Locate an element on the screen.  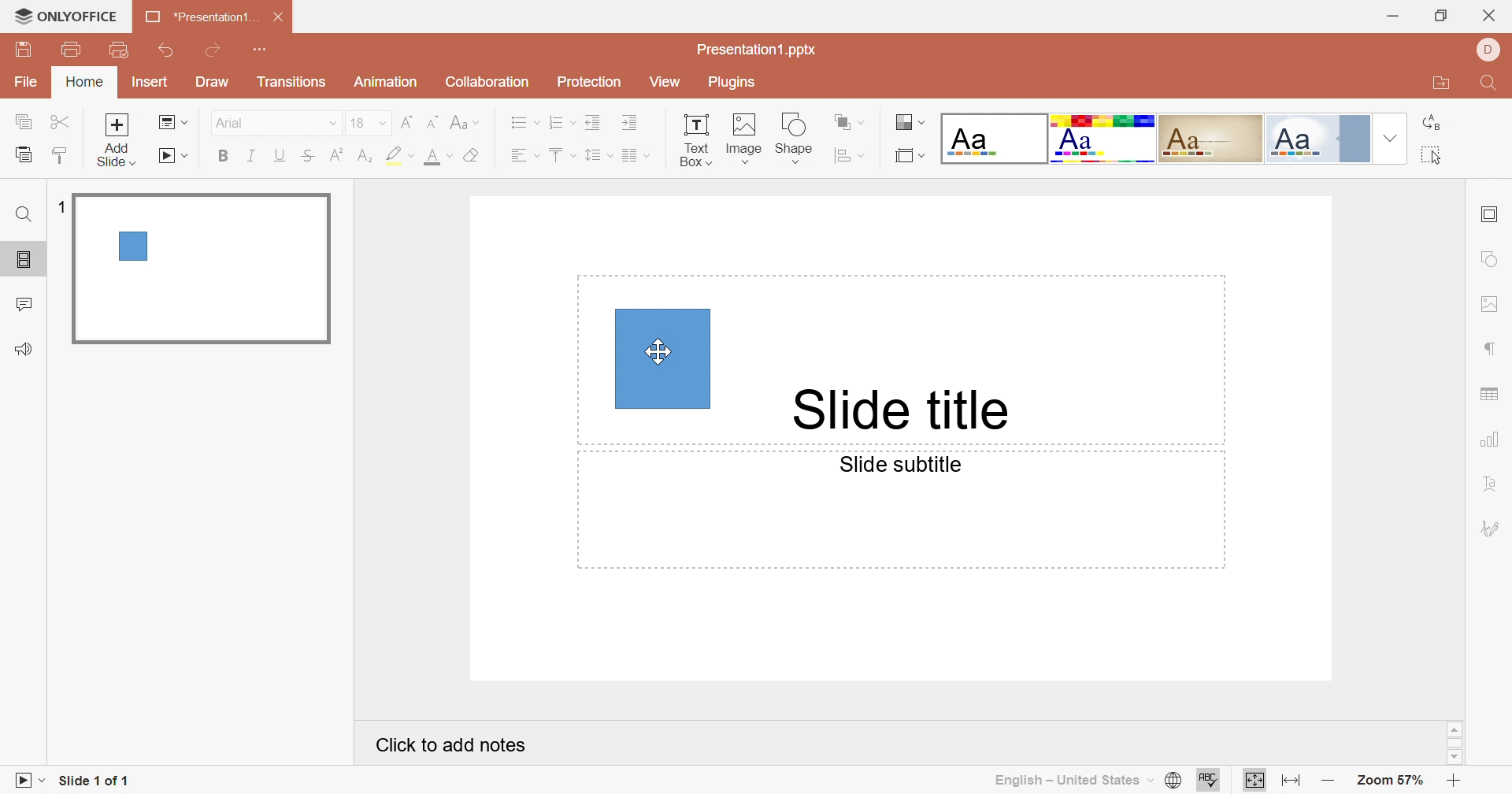
Increase Indent is located at coordinates (628, 122).